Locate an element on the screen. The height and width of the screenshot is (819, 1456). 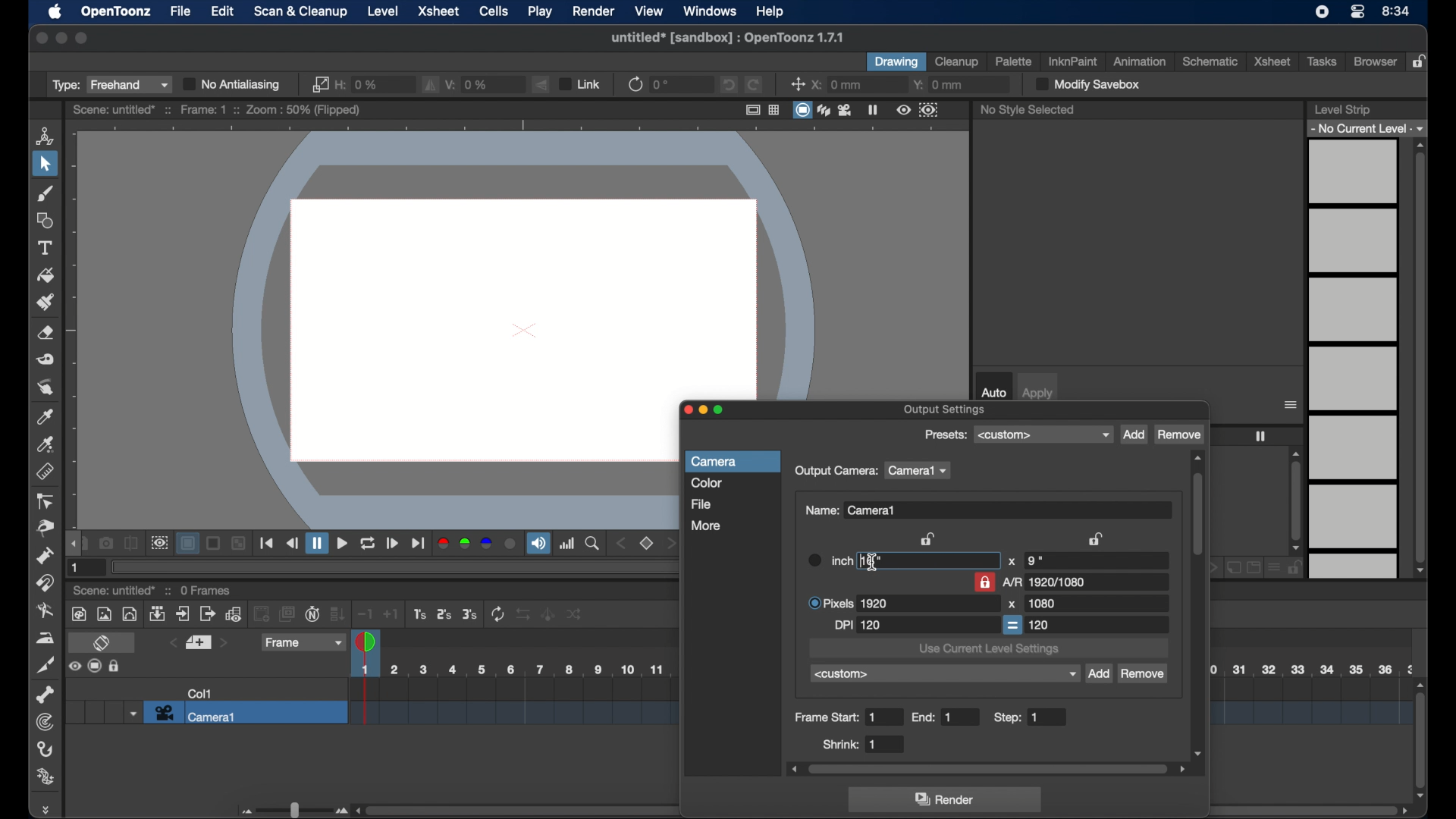
scene is located at coordinates (217, 110).